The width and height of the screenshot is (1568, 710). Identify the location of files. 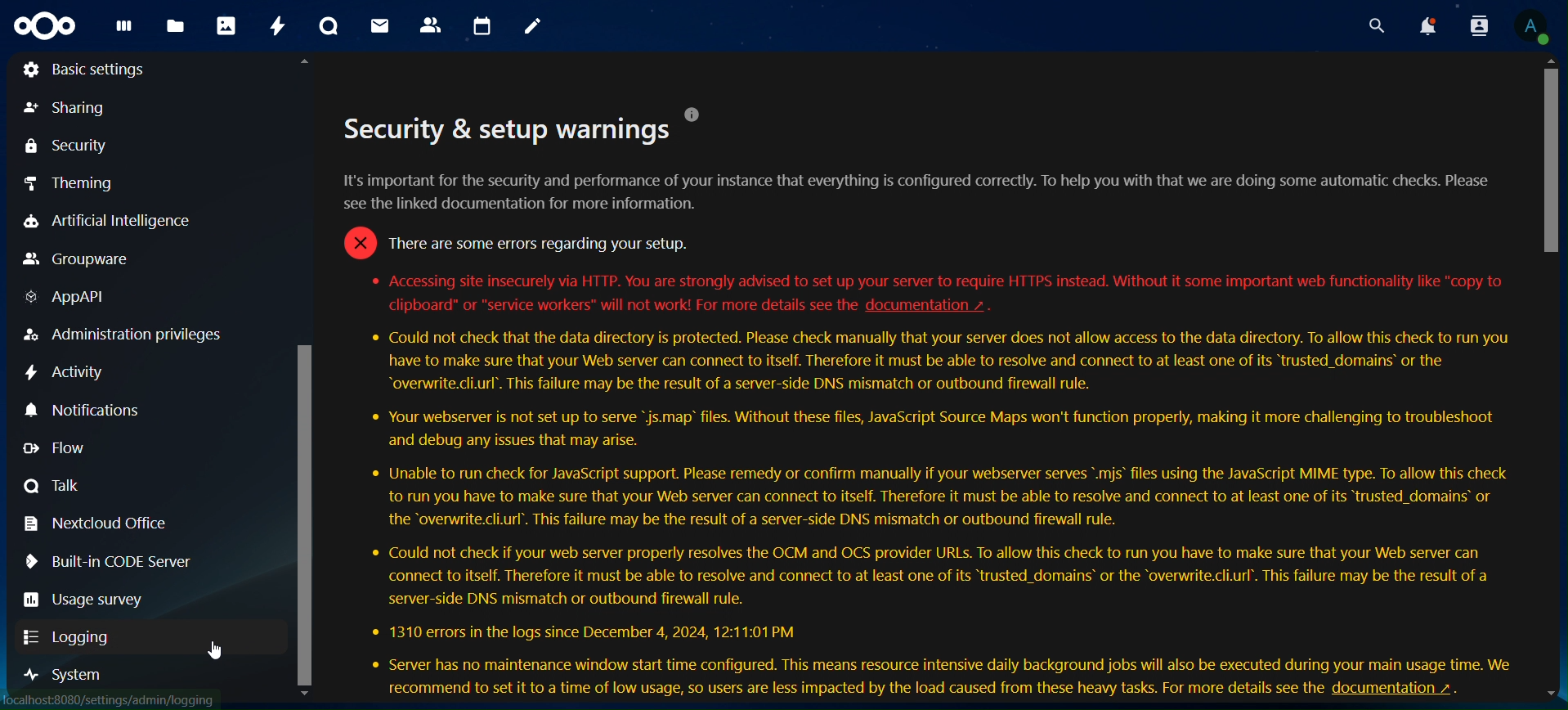
(174, 26).